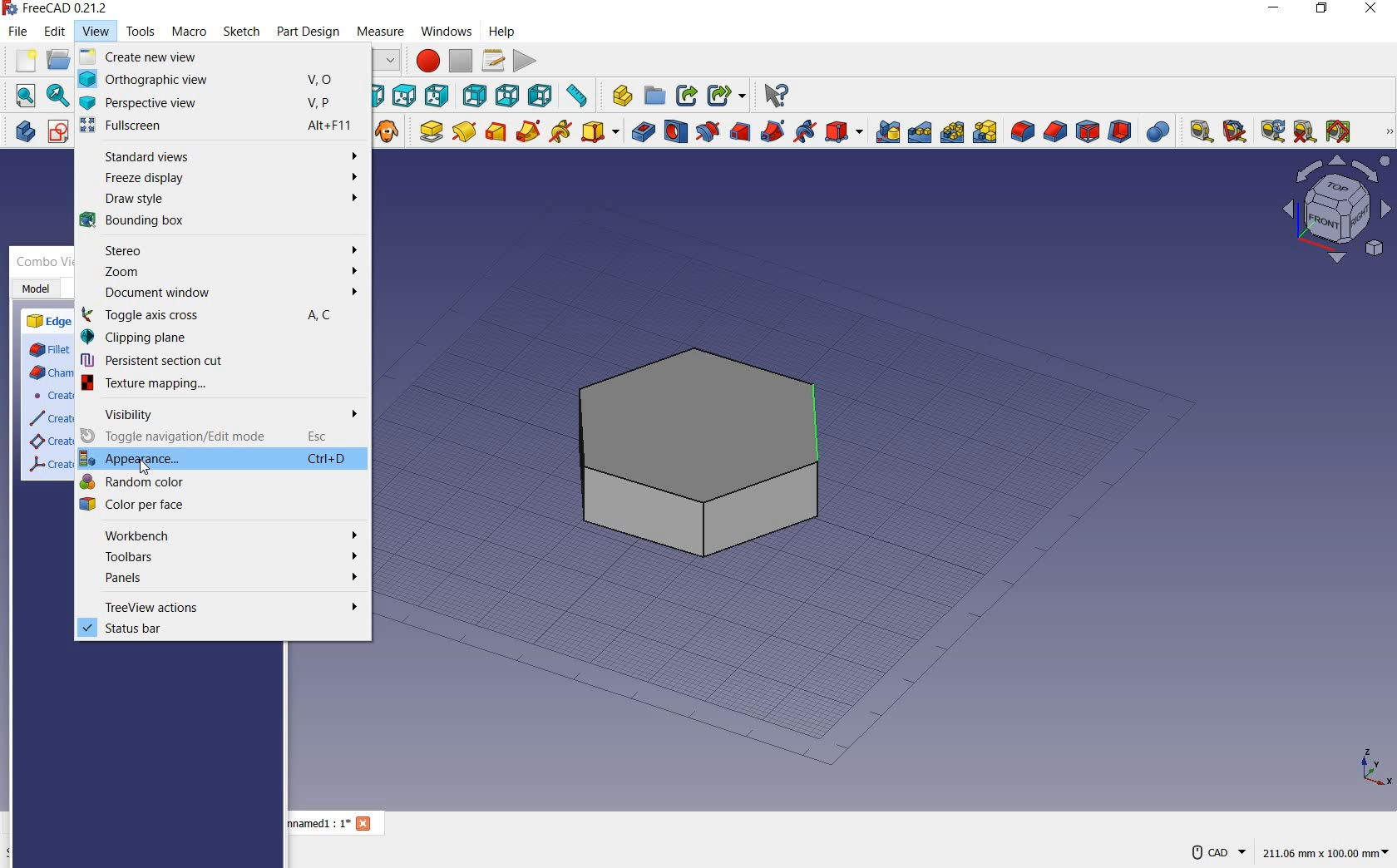 This screenshot has height=868, width=1397. I want to click on additive helix, so click(561, 131).